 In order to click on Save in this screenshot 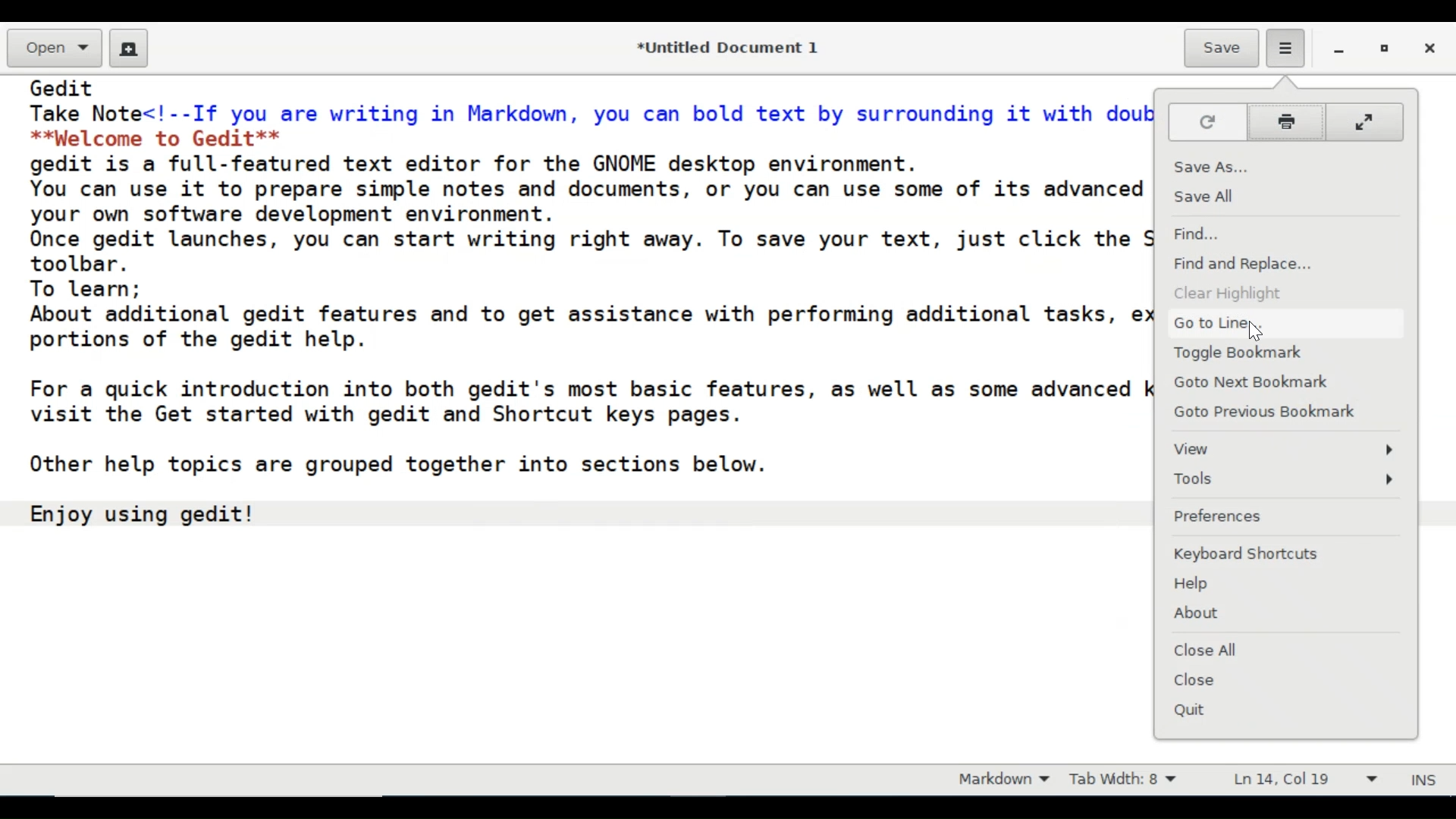, I will do `click(1221, 49)`.